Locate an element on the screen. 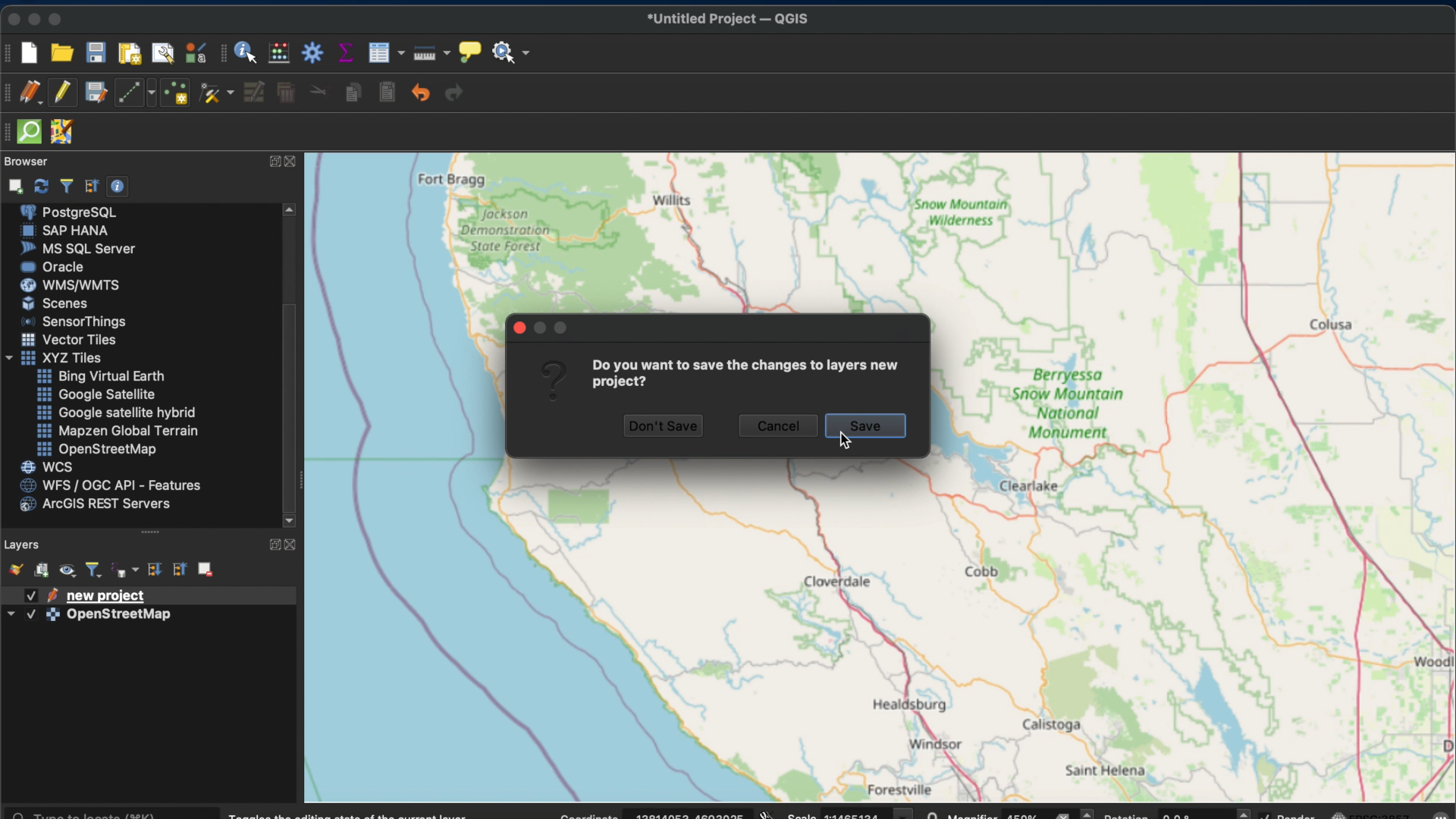 Image resolution: width=1456 pixels, height=819 pixels. inactive maximize button is located at coordinates (563, 328).